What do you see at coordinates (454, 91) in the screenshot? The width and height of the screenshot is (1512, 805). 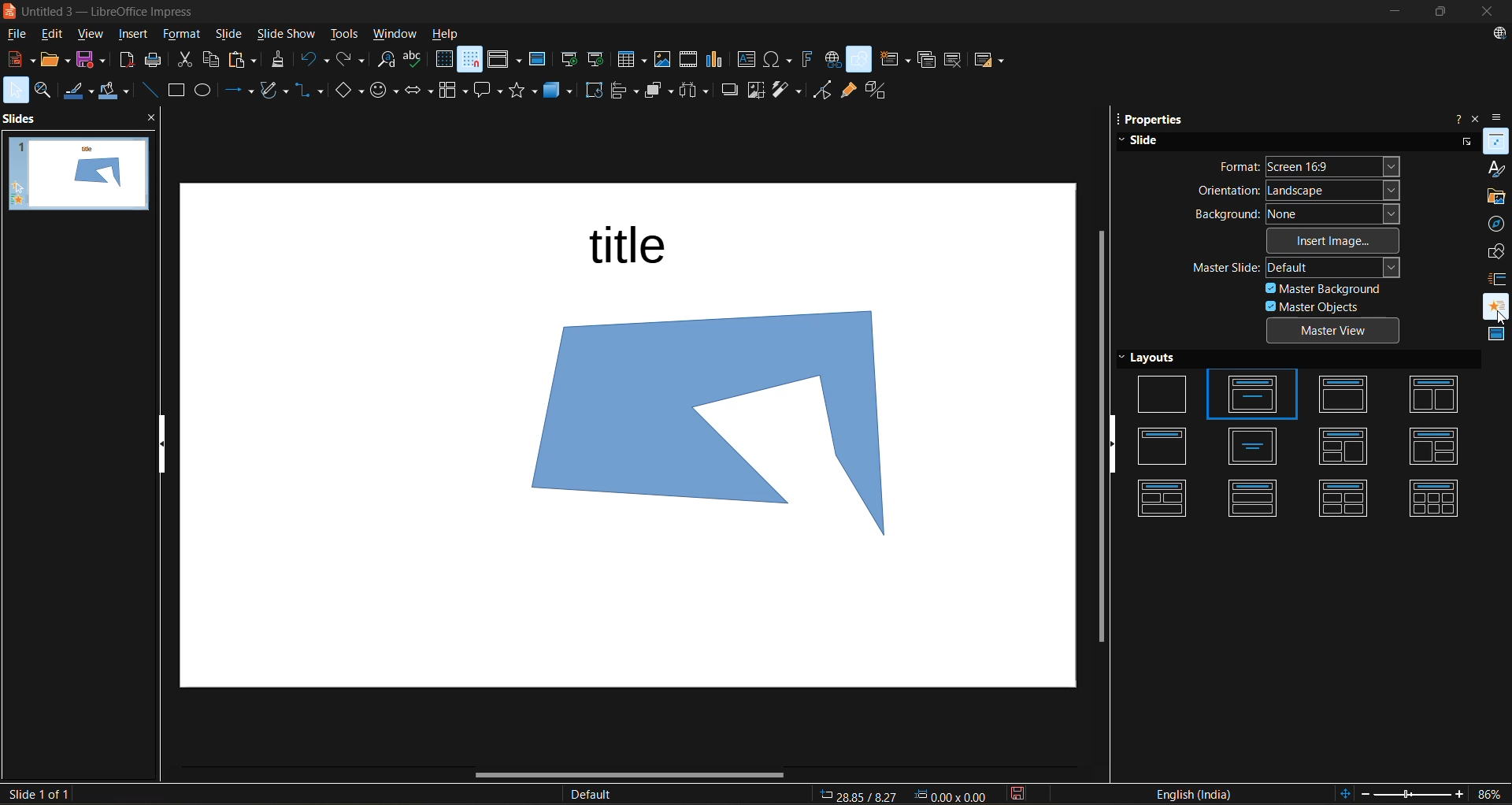 I see `flowchart` at bounding box center [454, 91].